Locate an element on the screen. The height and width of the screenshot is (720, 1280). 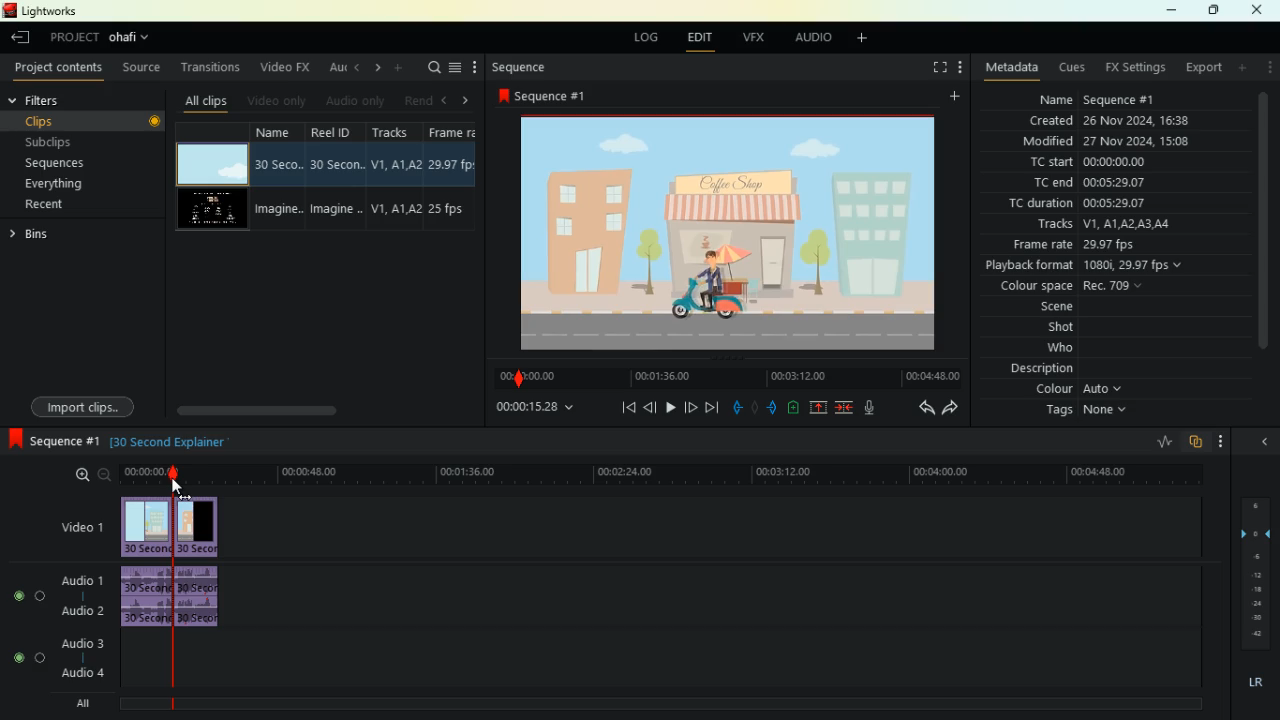
playback format is located at coordinates (1029, 266).